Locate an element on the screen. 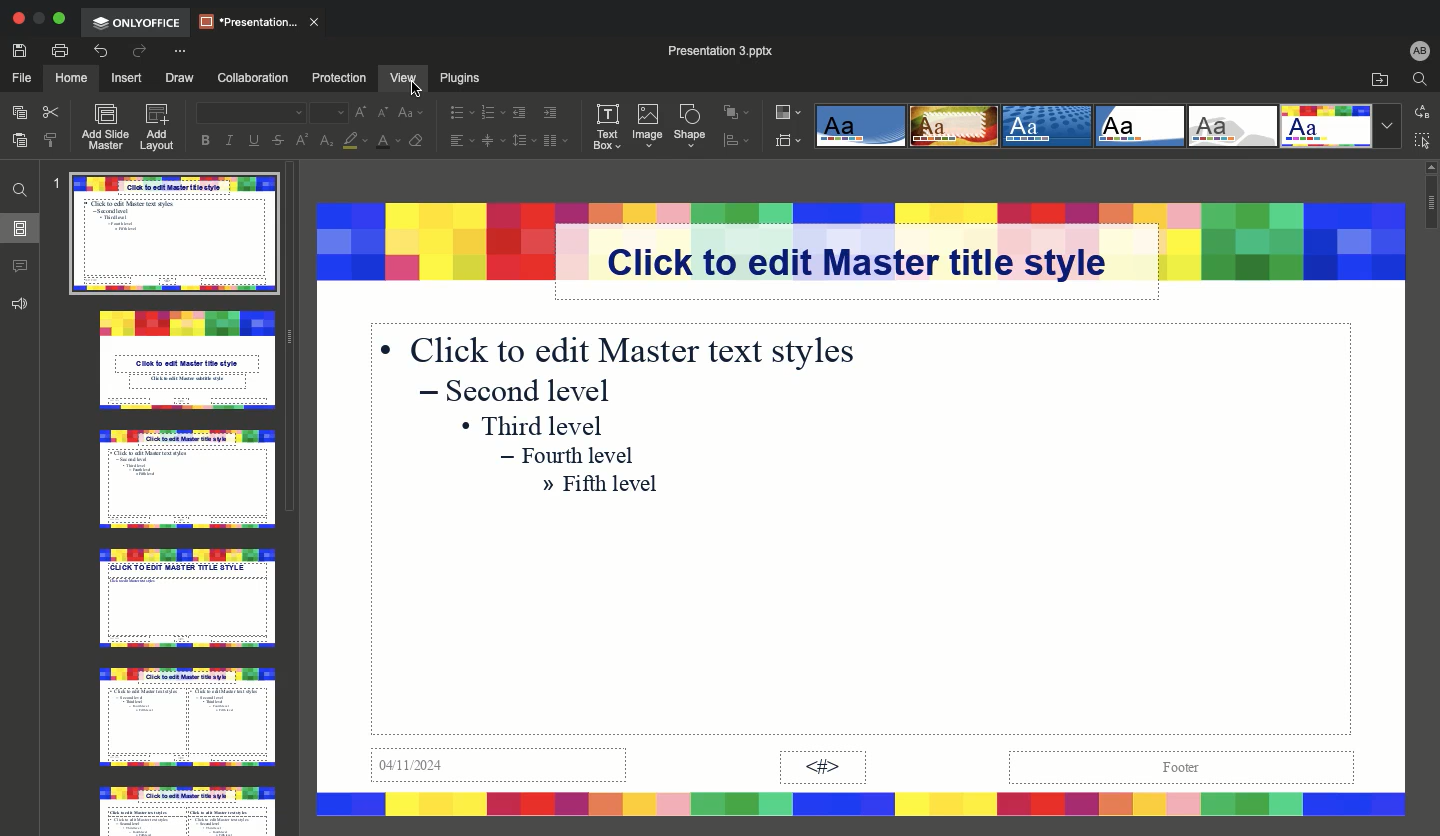  Add layout is located at coordinates (159, 128).